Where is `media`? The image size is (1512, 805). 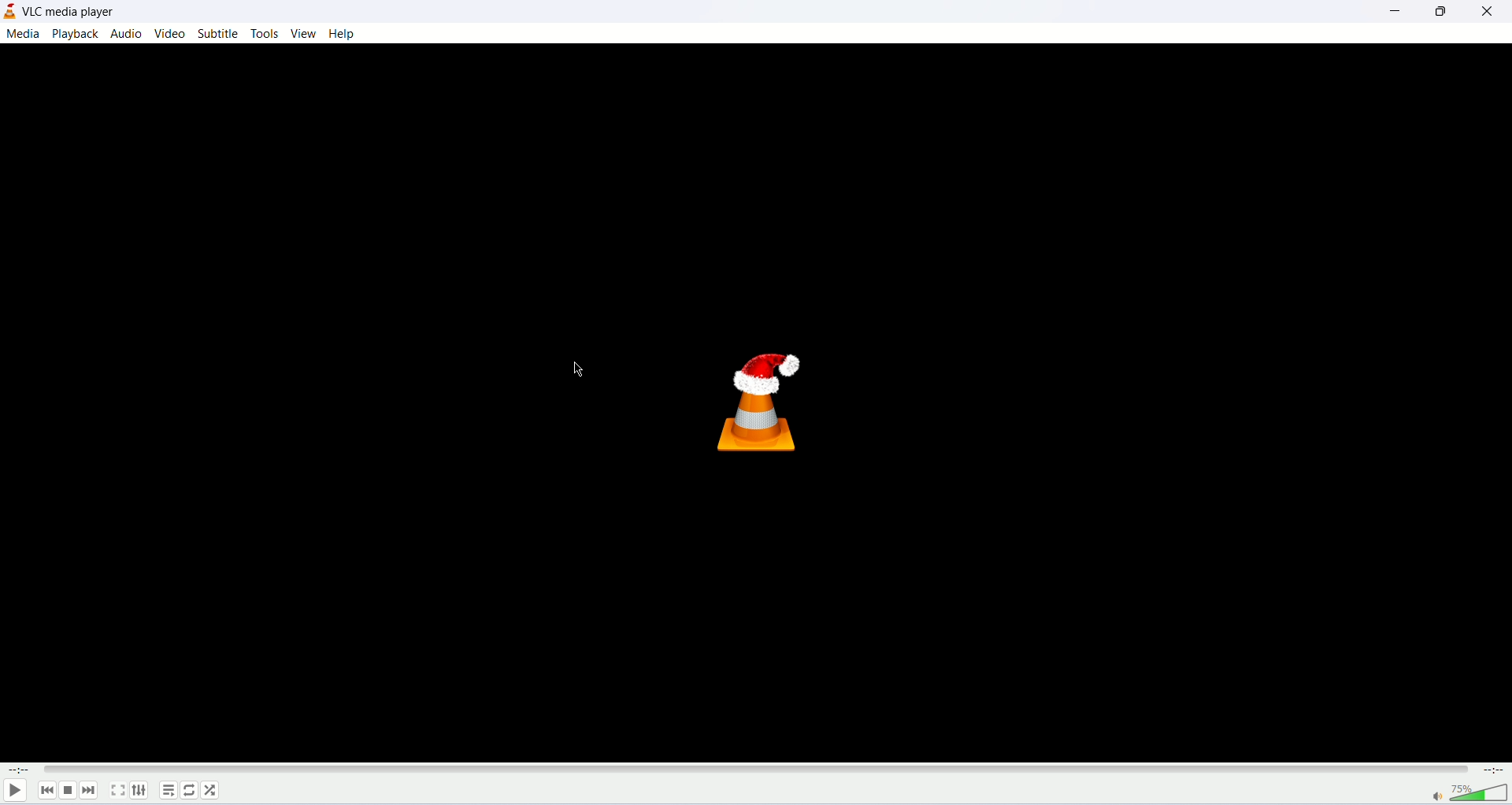
media is located at coordinates (23, 34).